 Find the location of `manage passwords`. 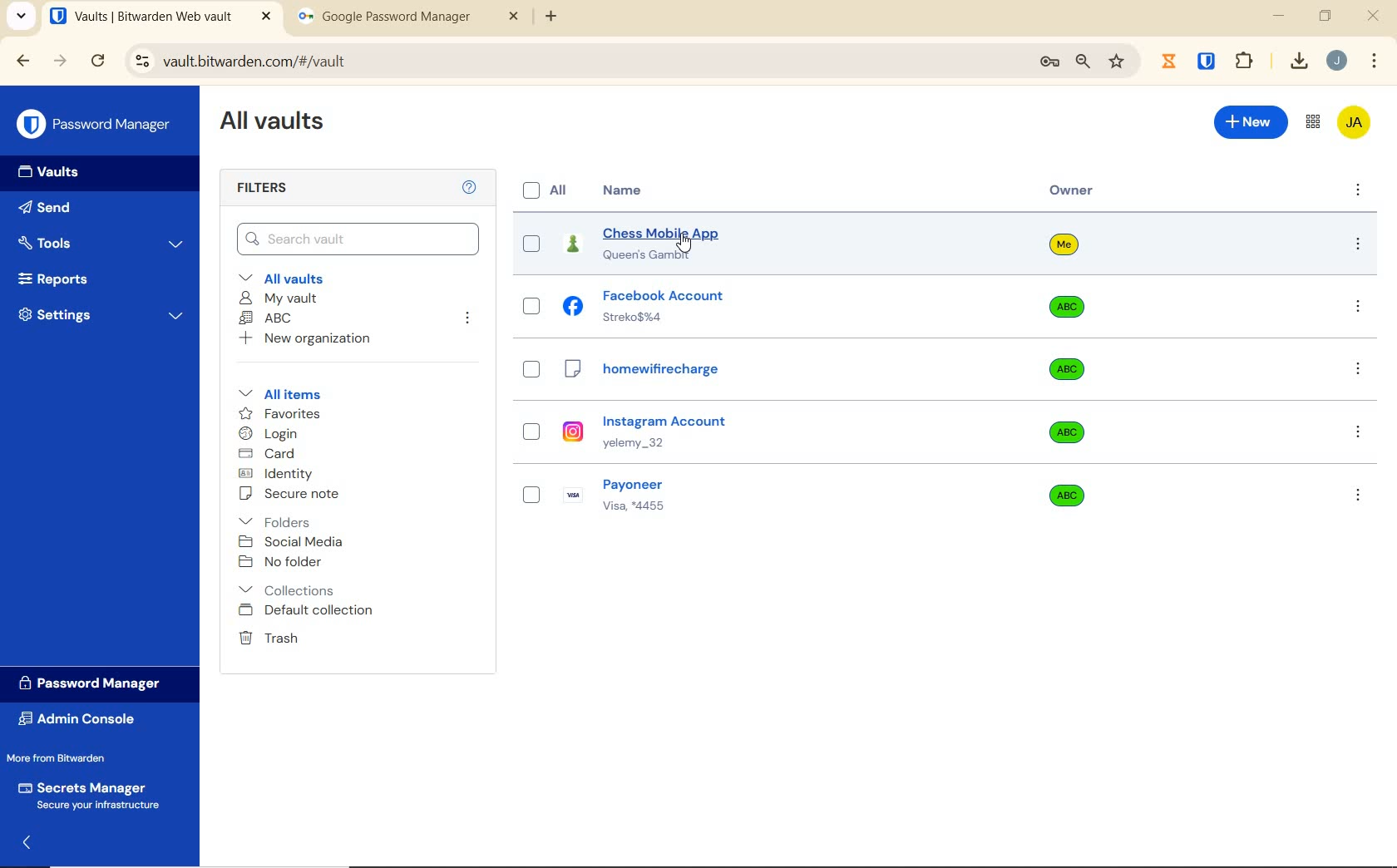

manage passwords is located at coordinates (1047, 64).